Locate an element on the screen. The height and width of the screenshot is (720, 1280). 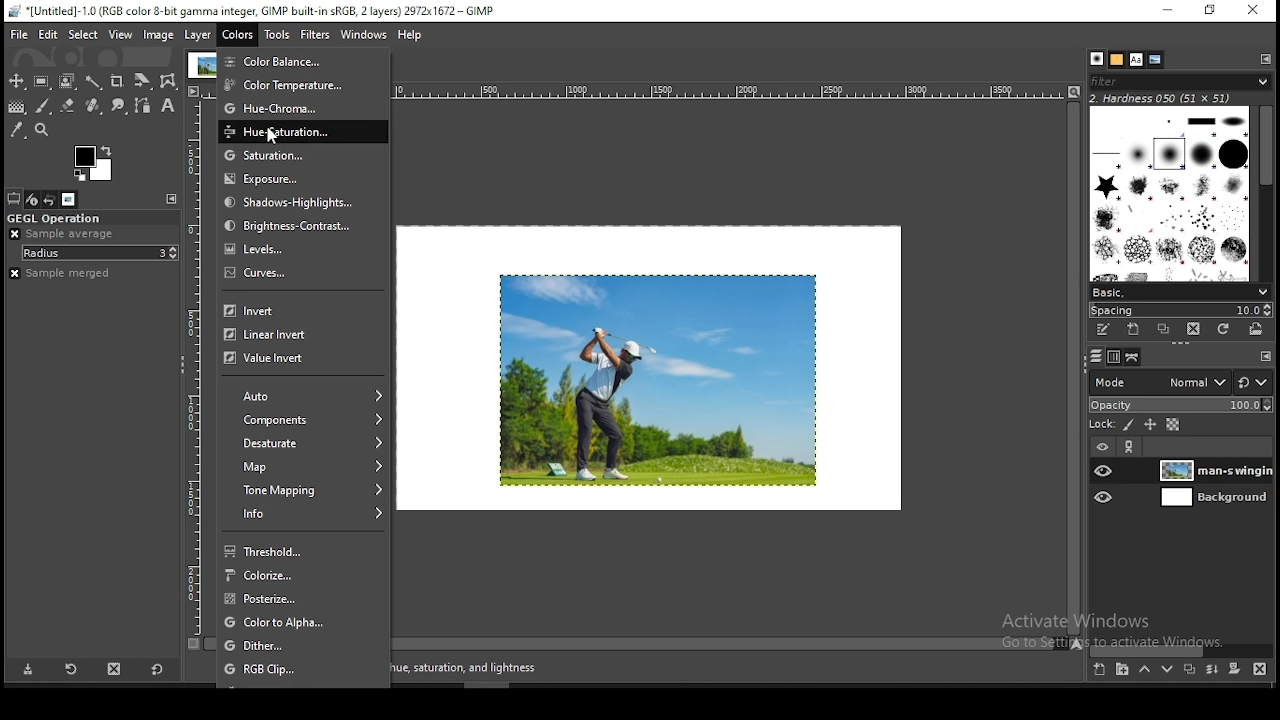
delete brush is located at coordinates (1192, 329).